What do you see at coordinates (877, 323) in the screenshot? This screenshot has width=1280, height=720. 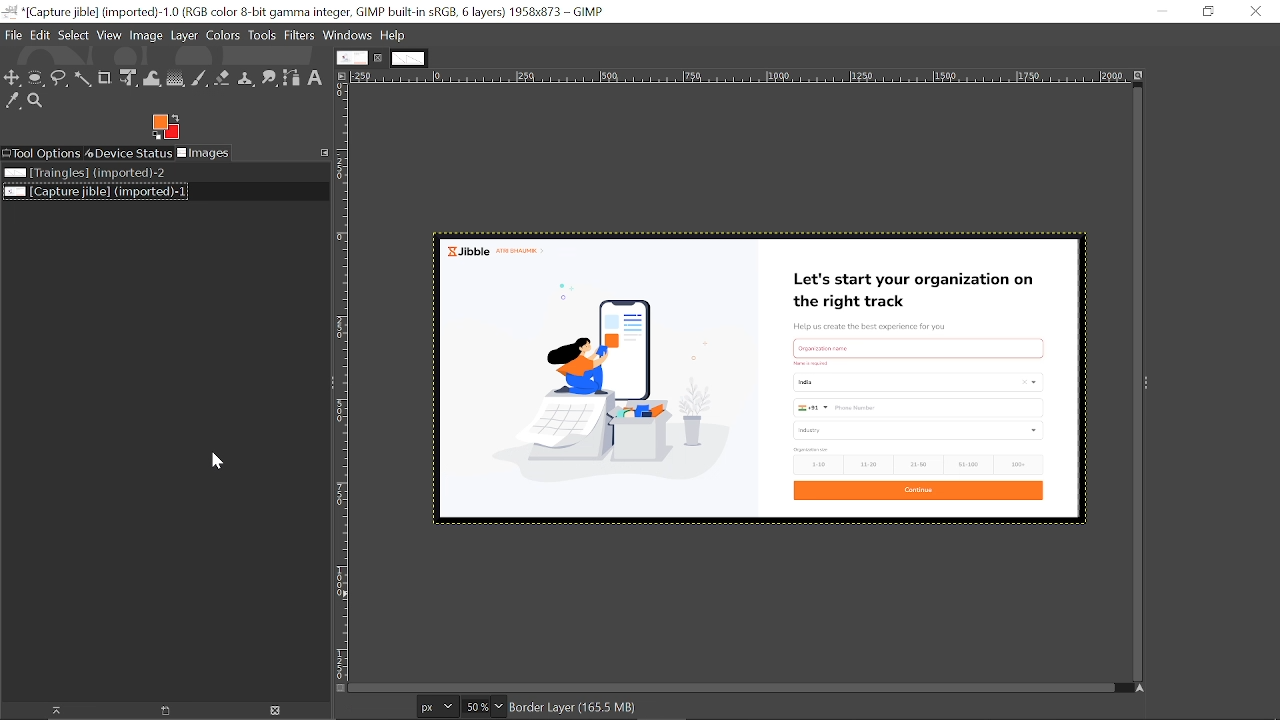 I see `Help us  create the best experience for you.` at bounding box center [877, 323].